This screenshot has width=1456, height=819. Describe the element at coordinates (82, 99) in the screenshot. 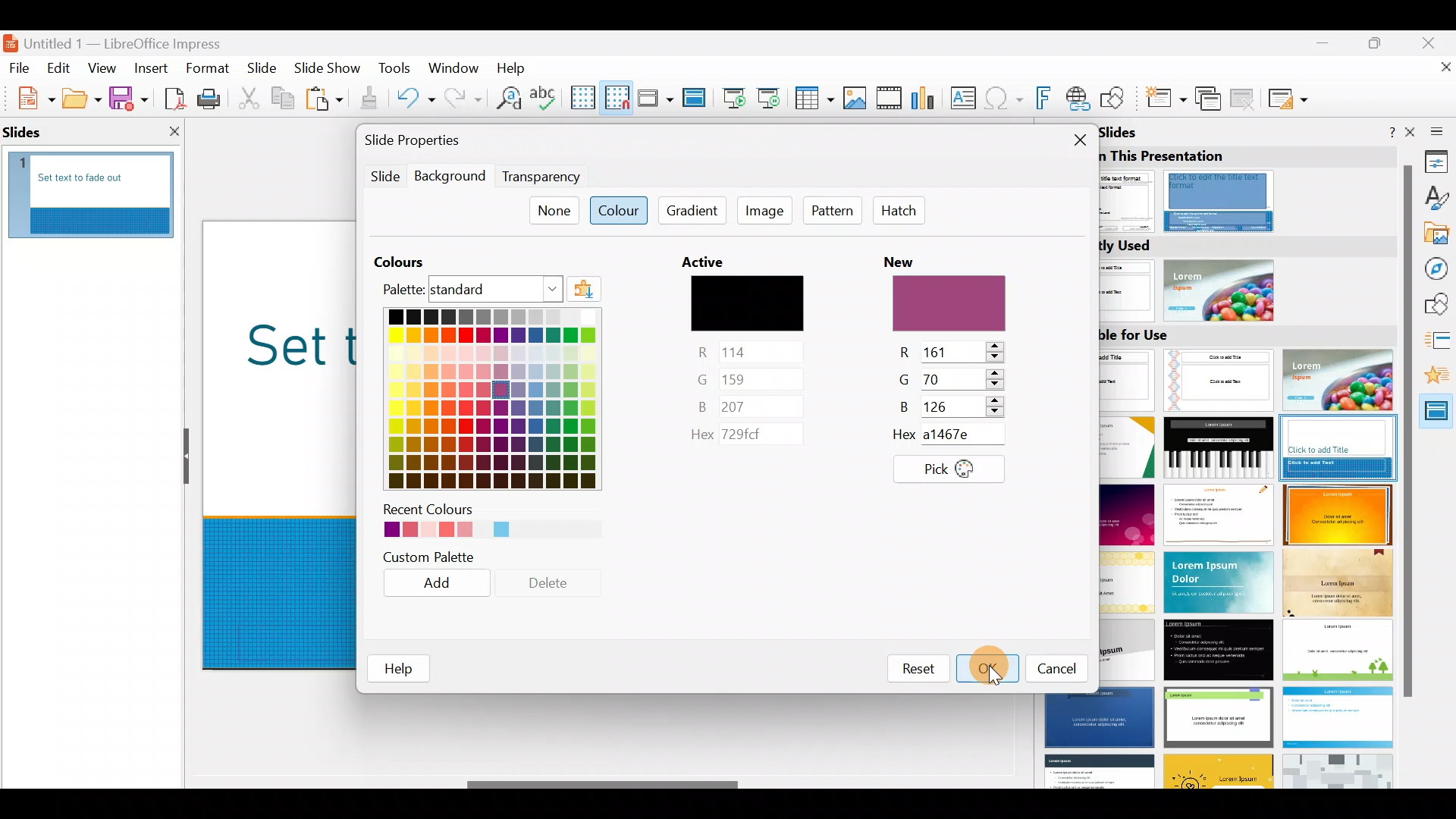

I see `Open` at that location.